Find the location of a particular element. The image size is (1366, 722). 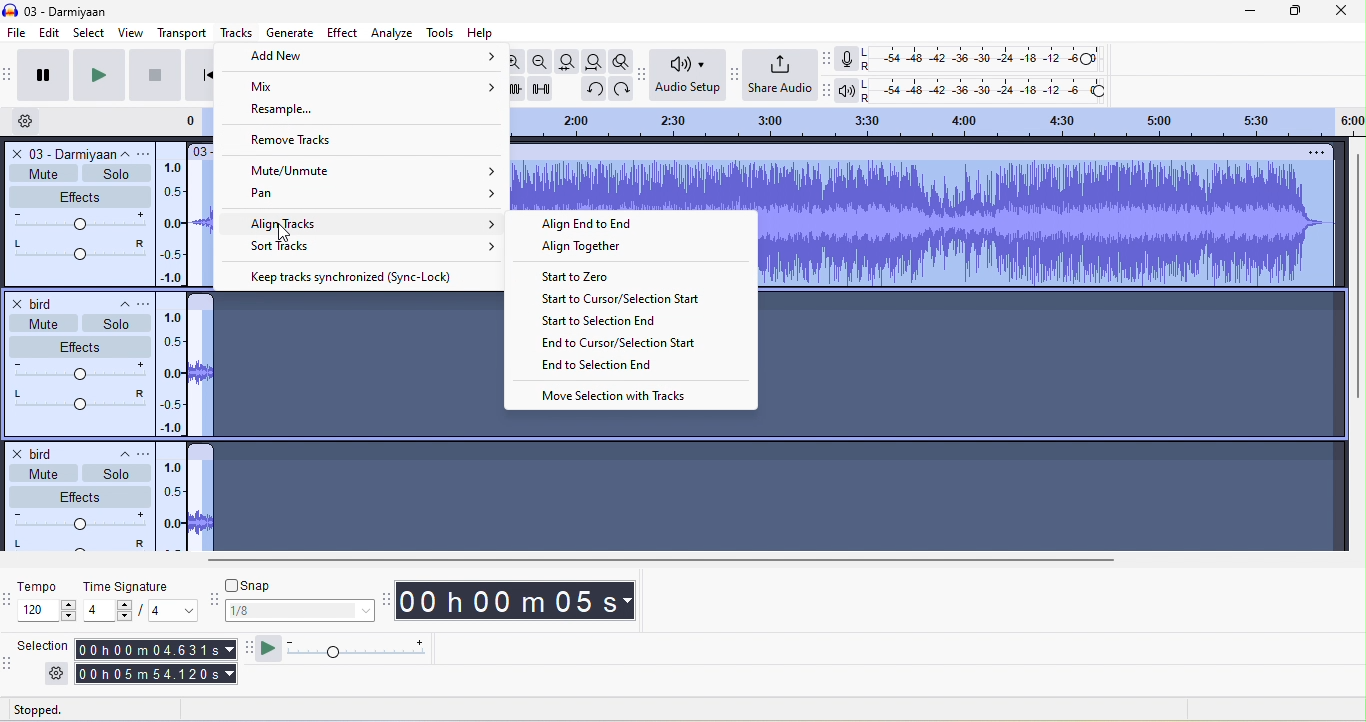

time signature is located at coordinates (133, 585).